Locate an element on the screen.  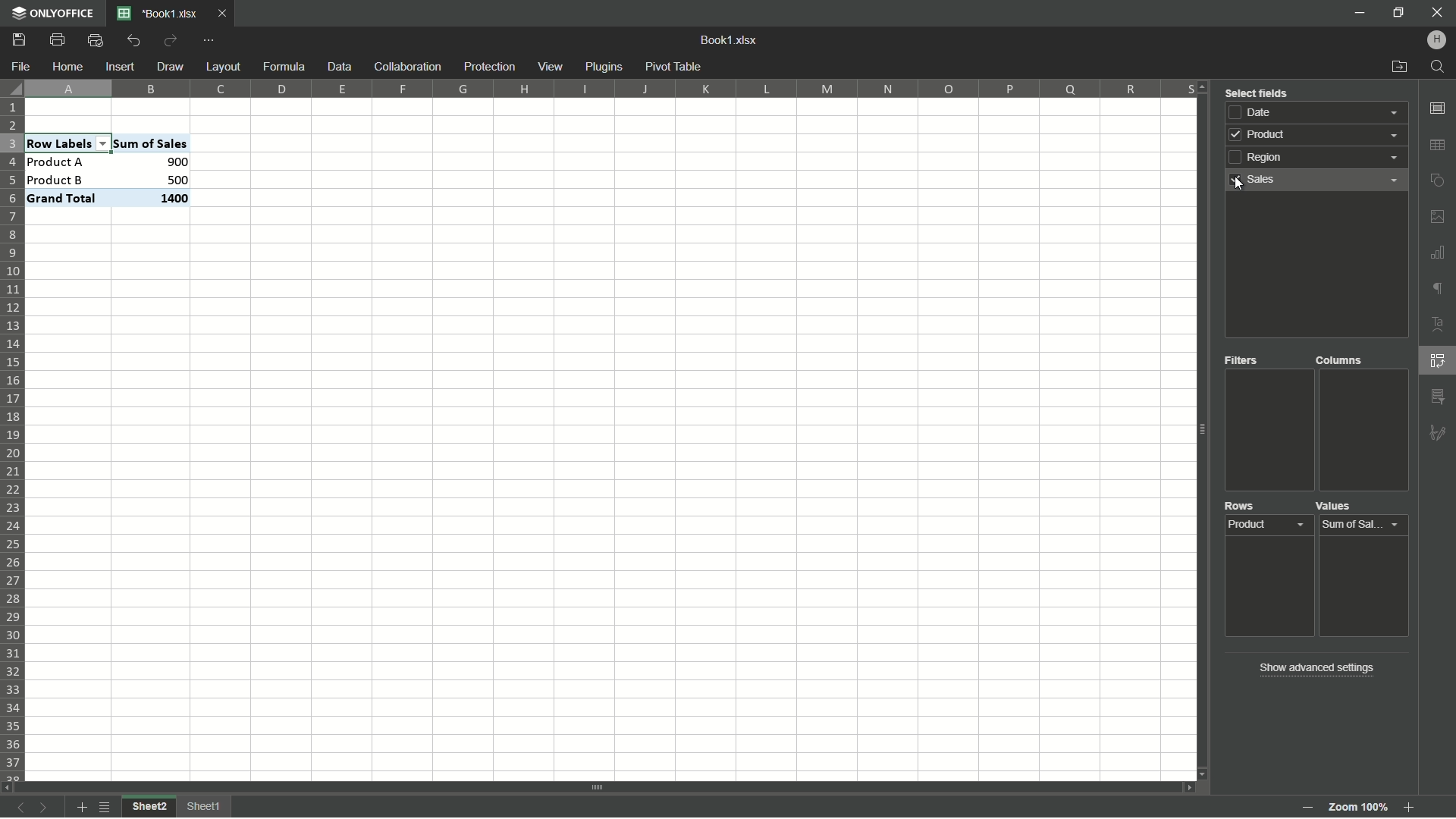
zoom 100% is located at coordinates (1357, 803).